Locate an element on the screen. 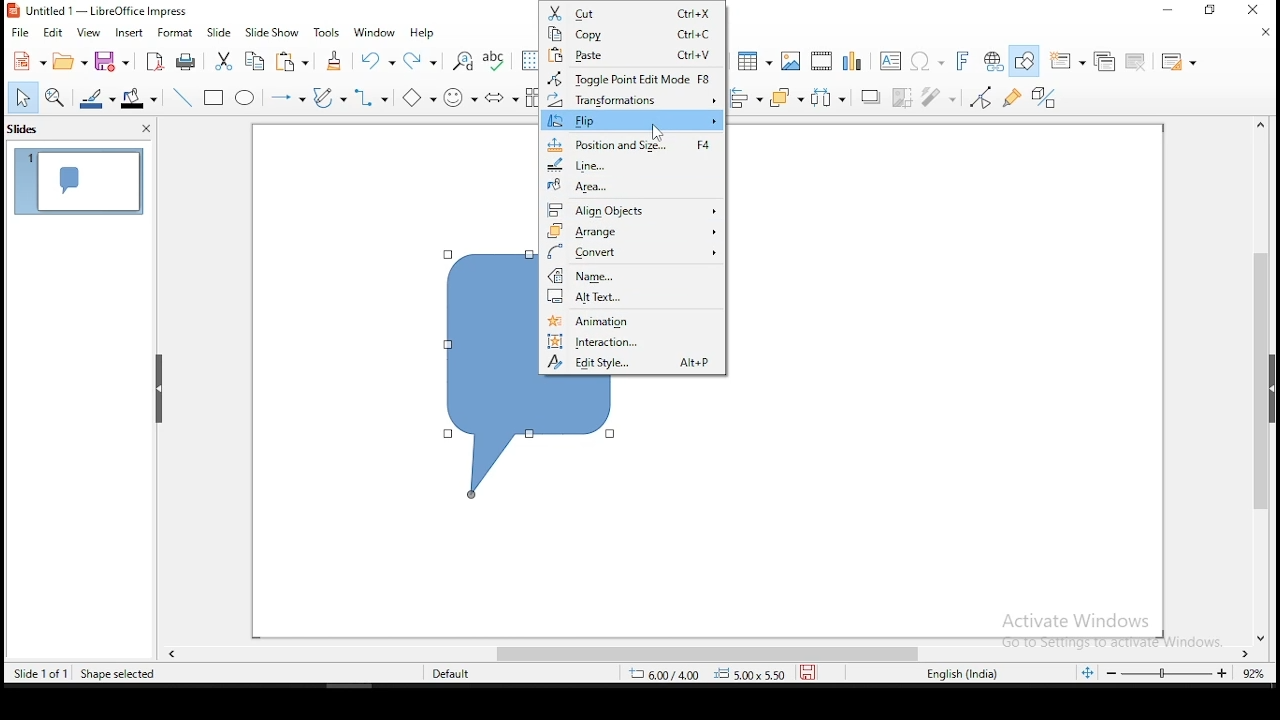 This screenshot has width=1280, height=720. scroll bar is located at coordinates (719, 655).